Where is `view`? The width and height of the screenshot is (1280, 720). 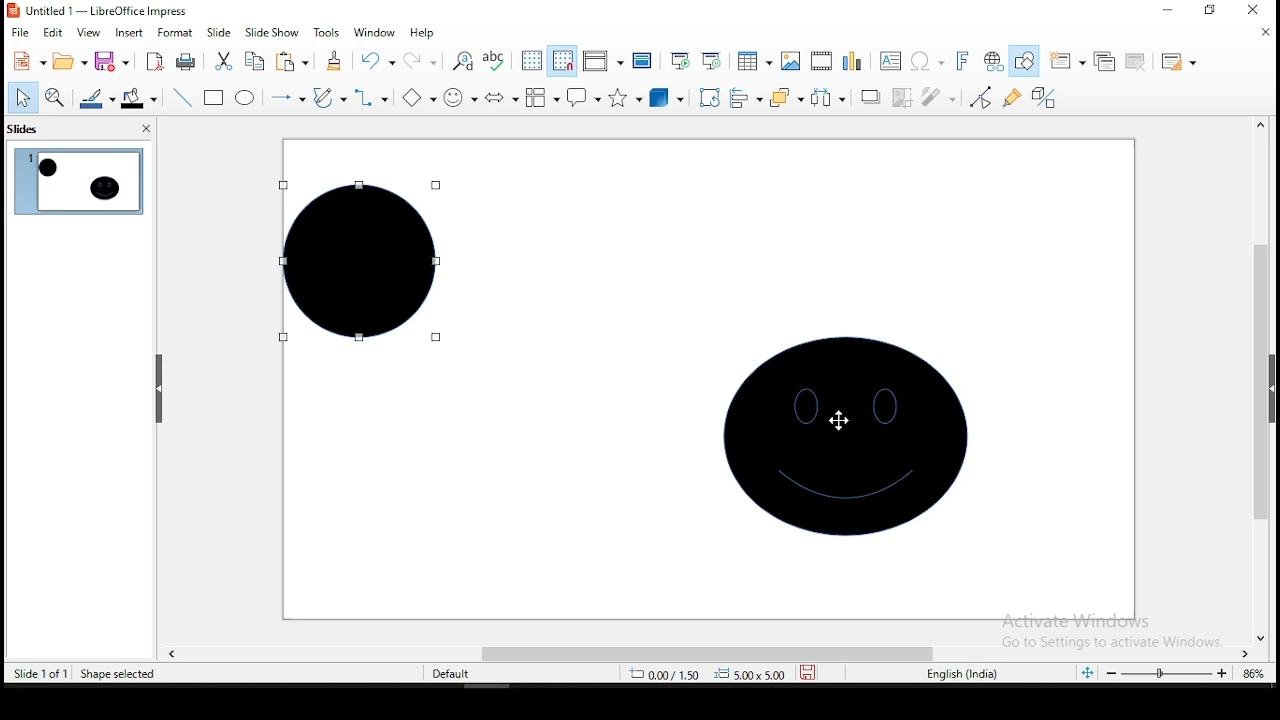
view is located at coordinates (89, 34).